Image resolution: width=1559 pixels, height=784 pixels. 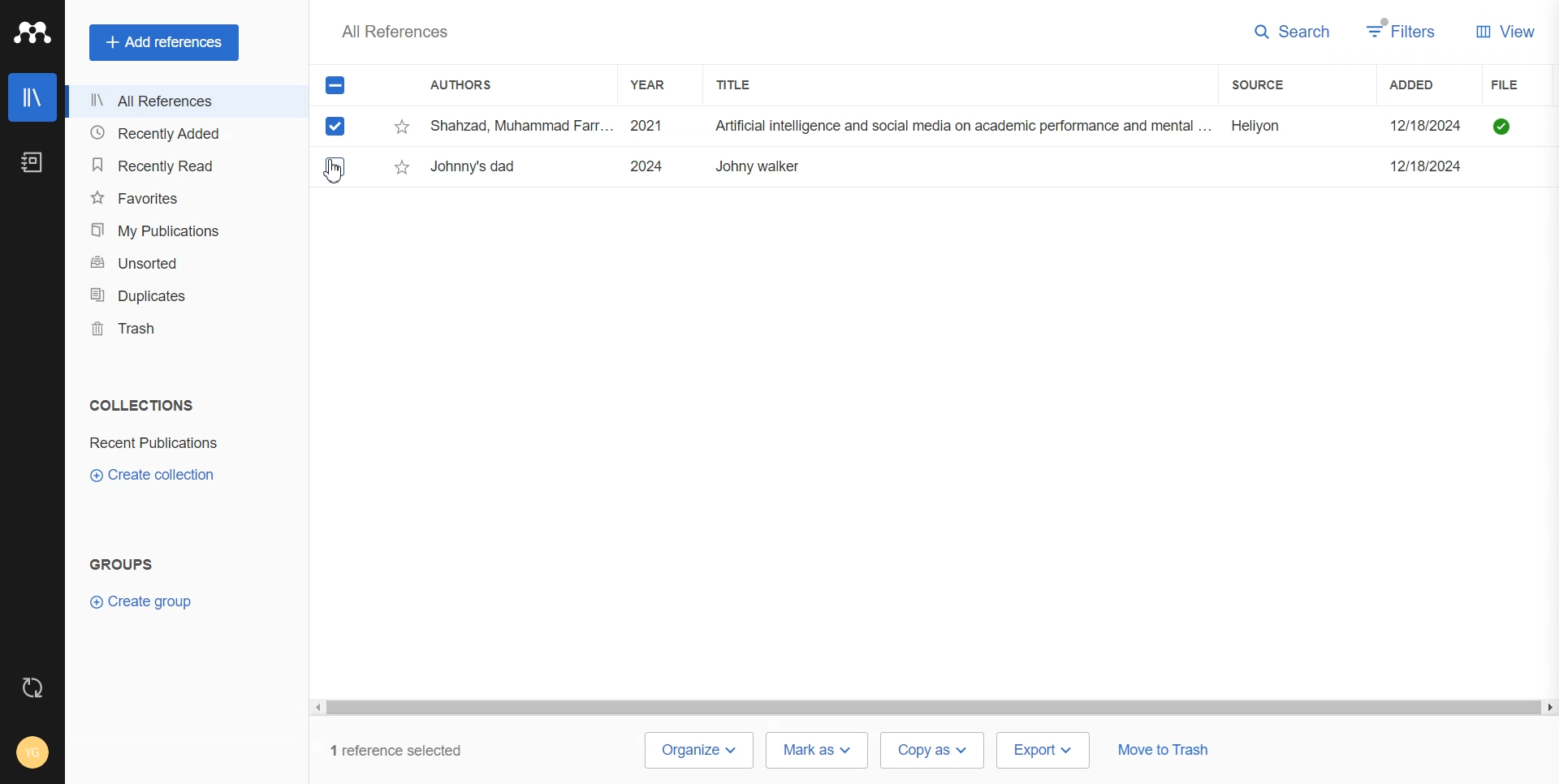 I want to click on Title, so click(x=748, y=84).